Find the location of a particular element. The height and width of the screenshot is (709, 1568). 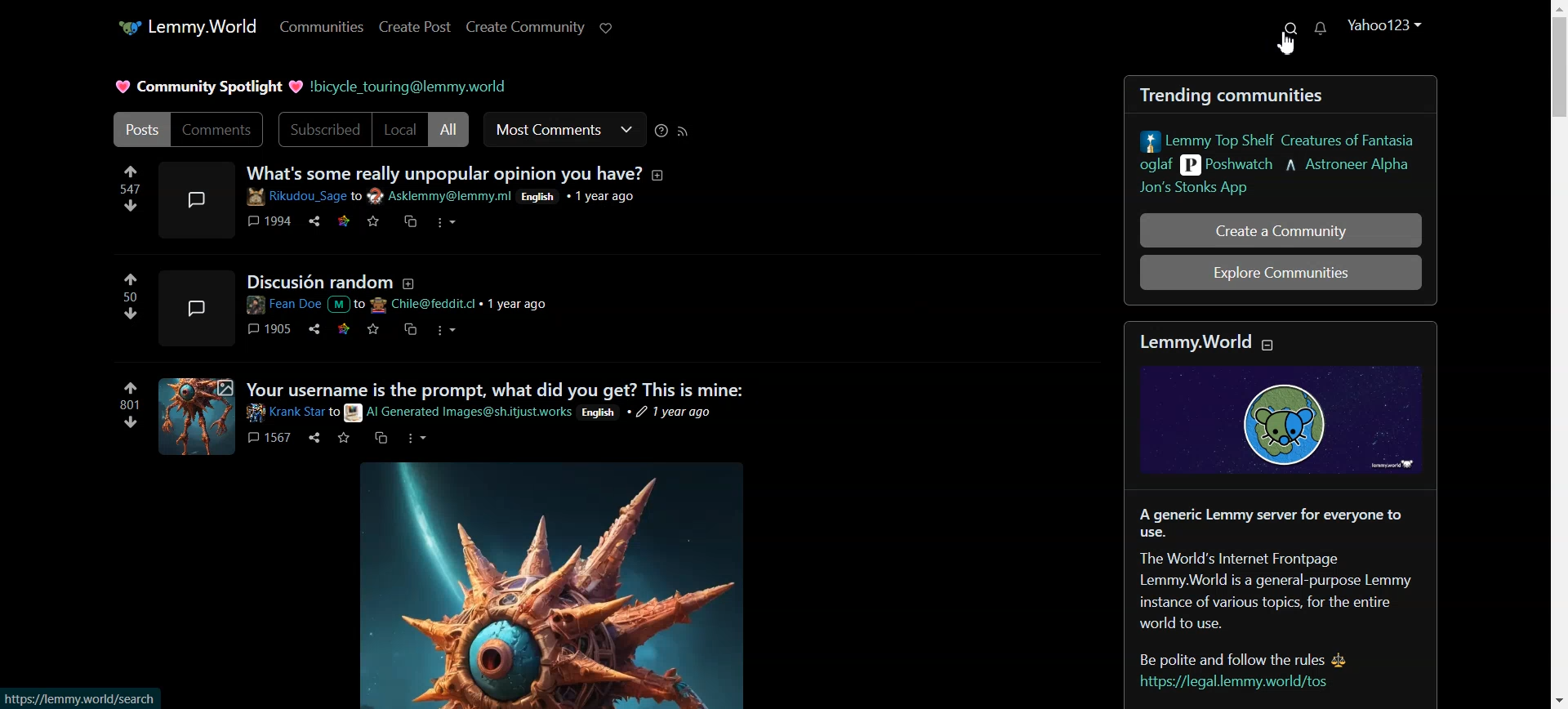

link is located at coordinates (341, 220).